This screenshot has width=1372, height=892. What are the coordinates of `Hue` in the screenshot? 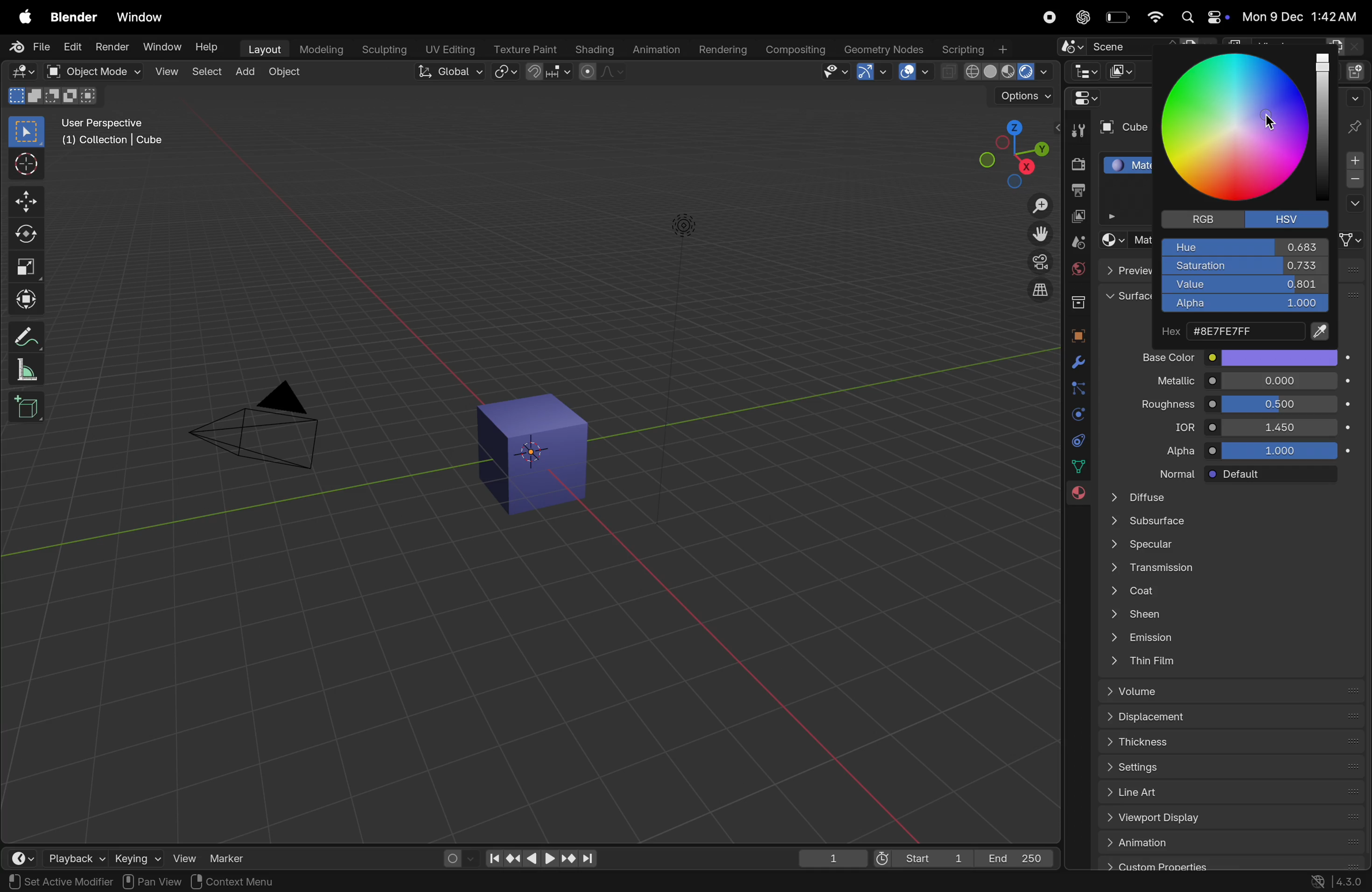 It's located at (1245, 247).